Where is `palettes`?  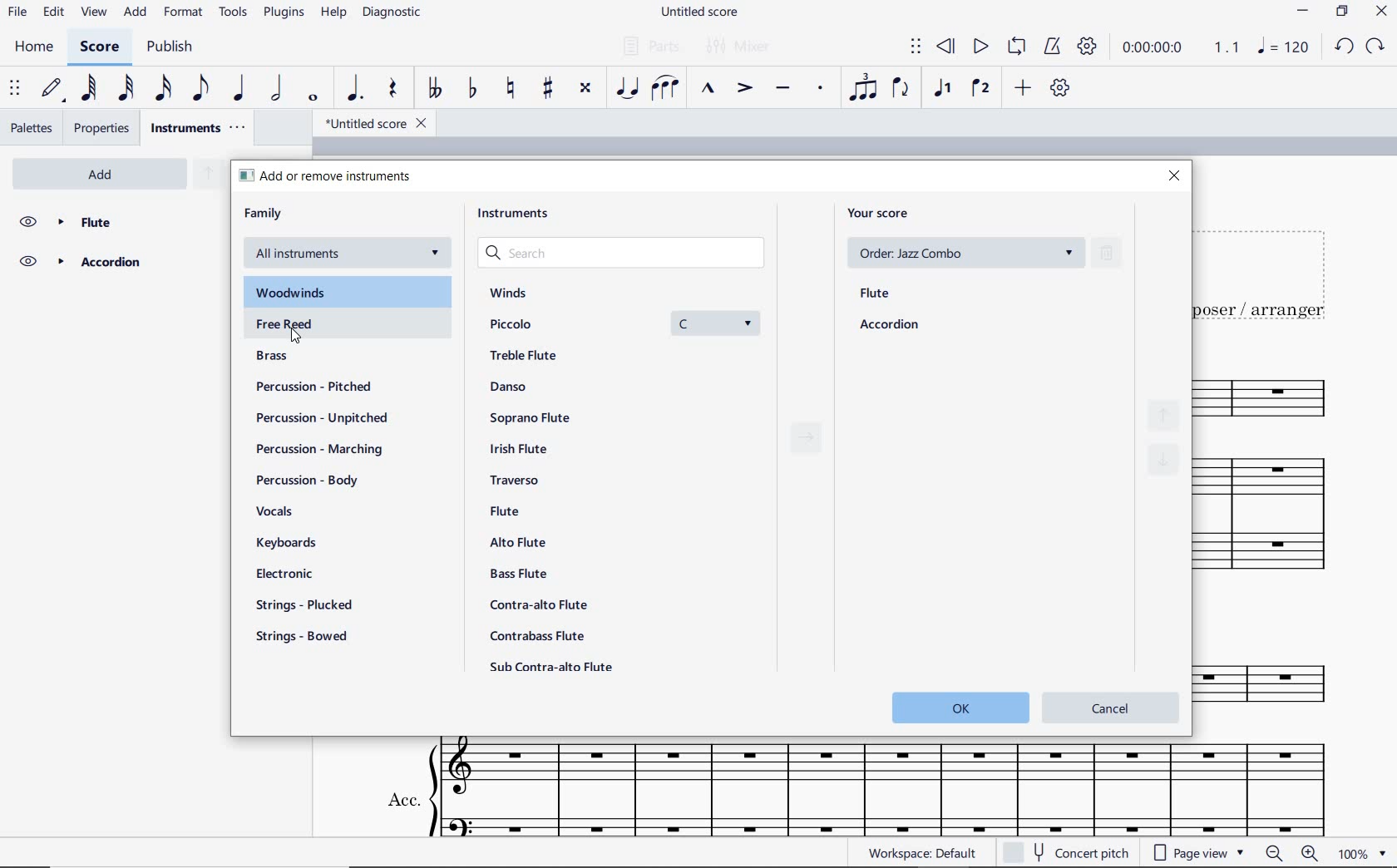
palettes is located at coordinates (32, 128).